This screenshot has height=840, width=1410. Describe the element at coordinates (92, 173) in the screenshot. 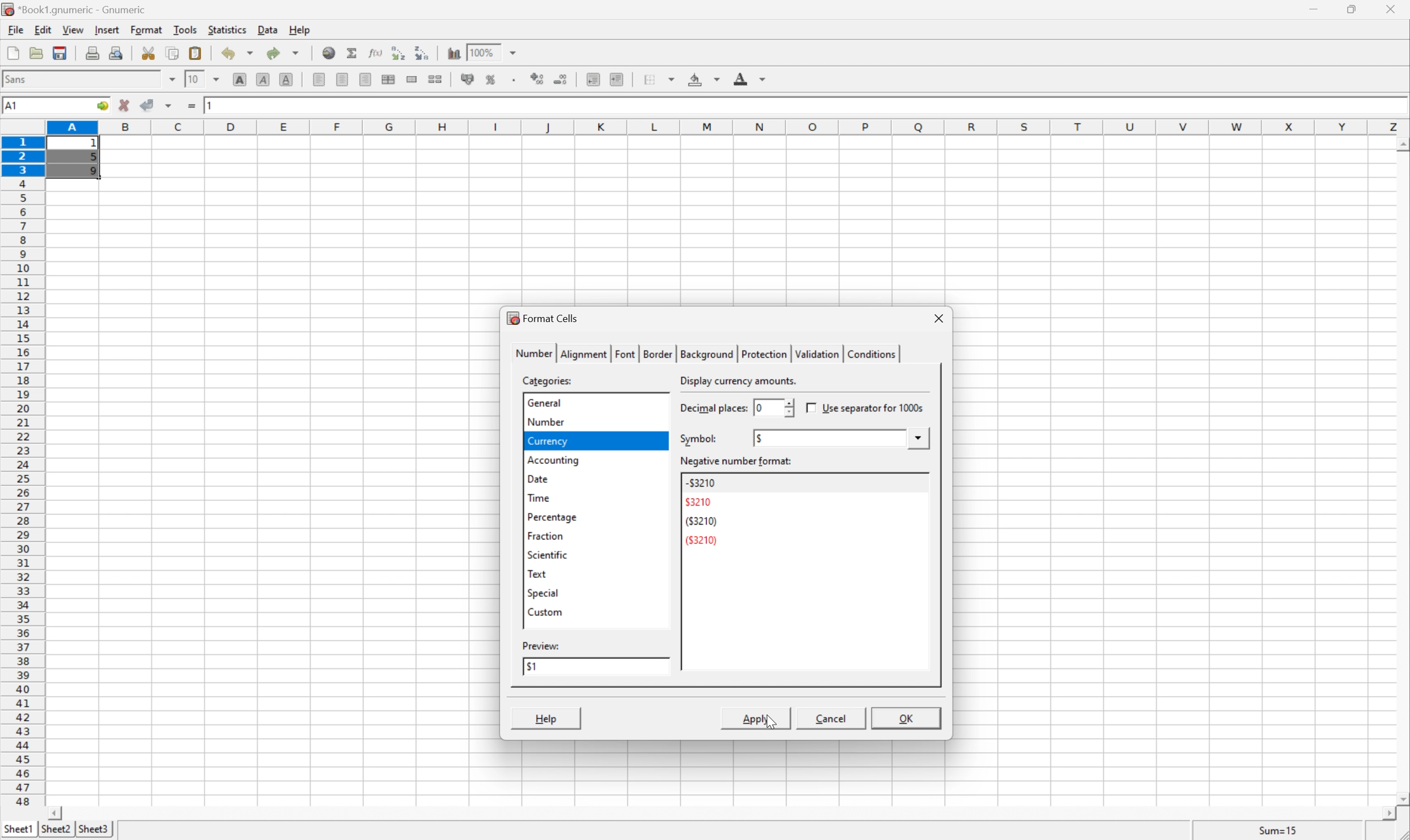

I see `9` at that location.